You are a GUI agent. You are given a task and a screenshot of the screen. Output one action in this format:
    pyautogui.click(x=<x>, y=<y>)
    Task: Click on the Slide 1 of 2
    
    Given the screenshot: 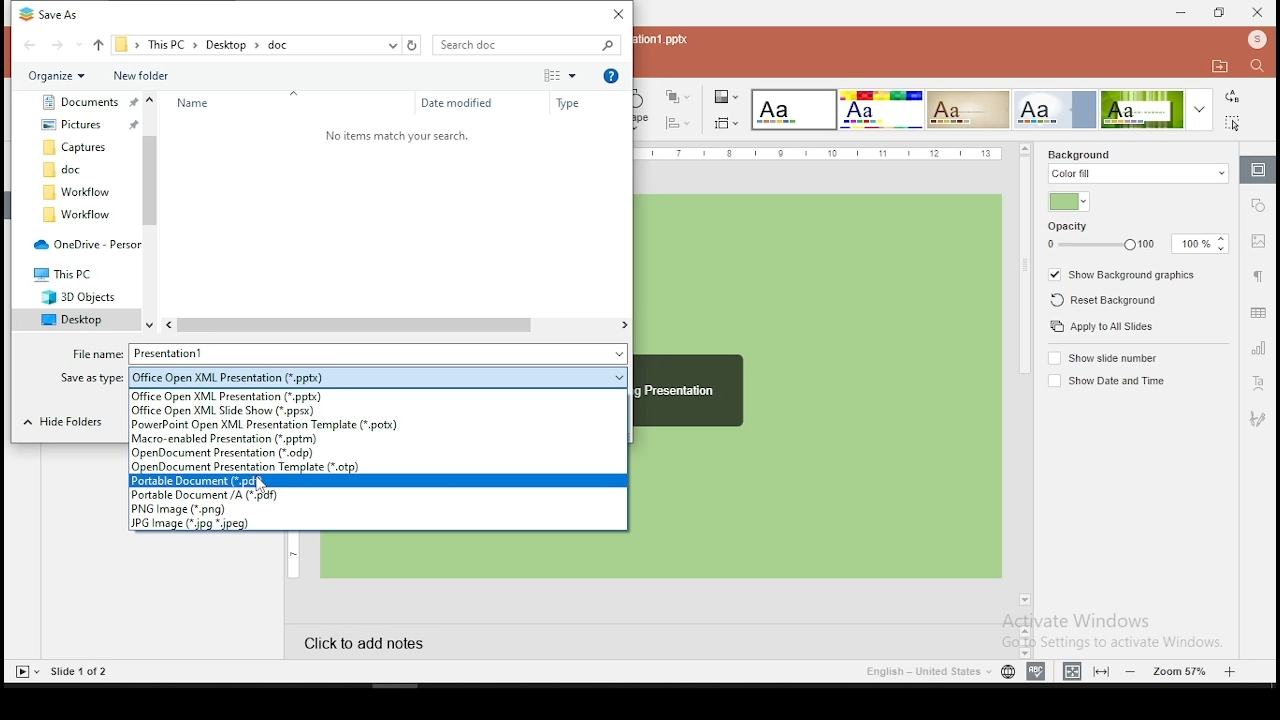 What is the action you would take?
    pyautogui.click(x=81, y=672)
    